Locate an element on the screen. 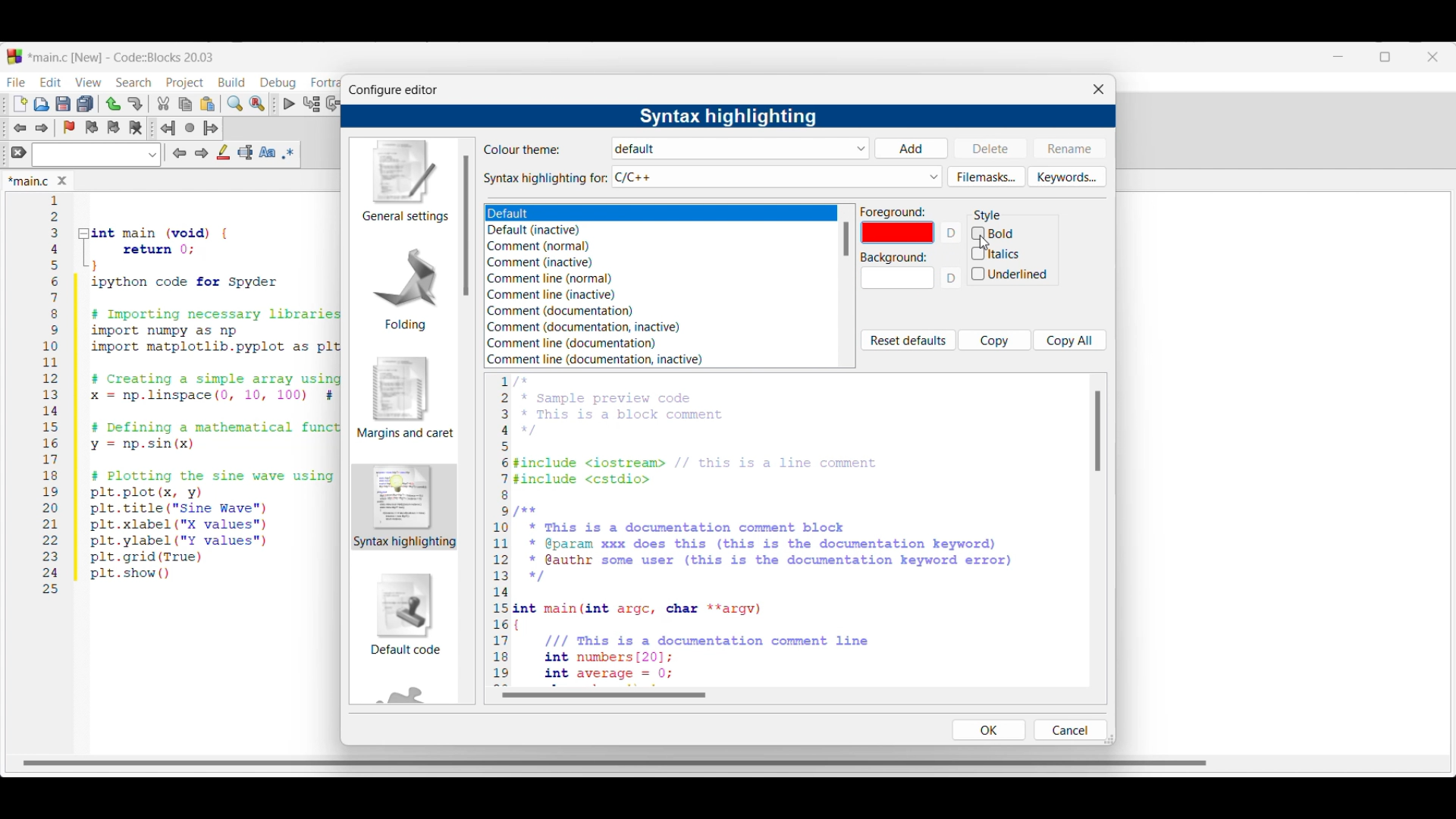  Sample code reflecting setting changes is located at coordinates (789, 529).